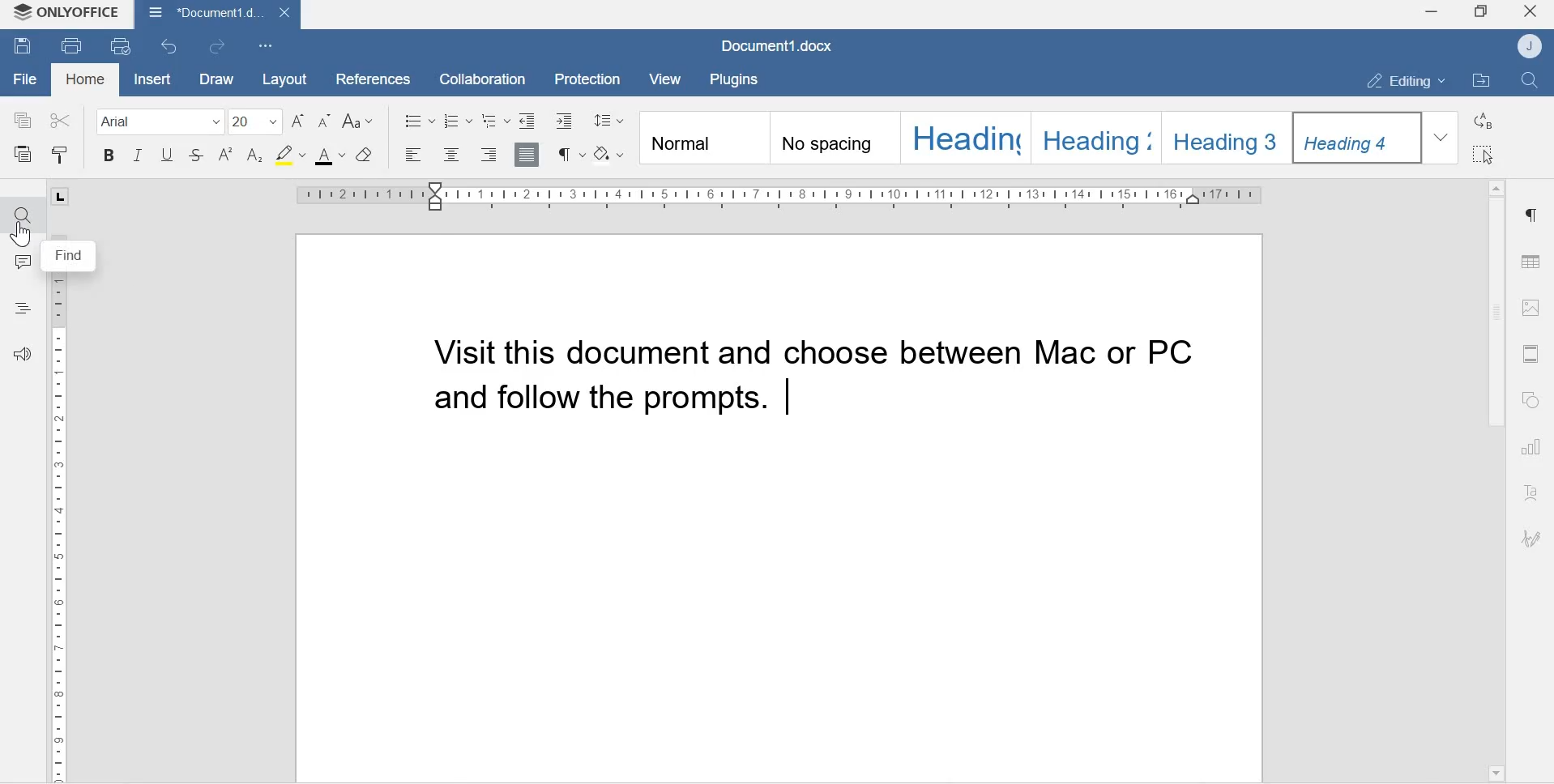 The image size is (1554, 784). I want to click on font color, so click(331, 156).